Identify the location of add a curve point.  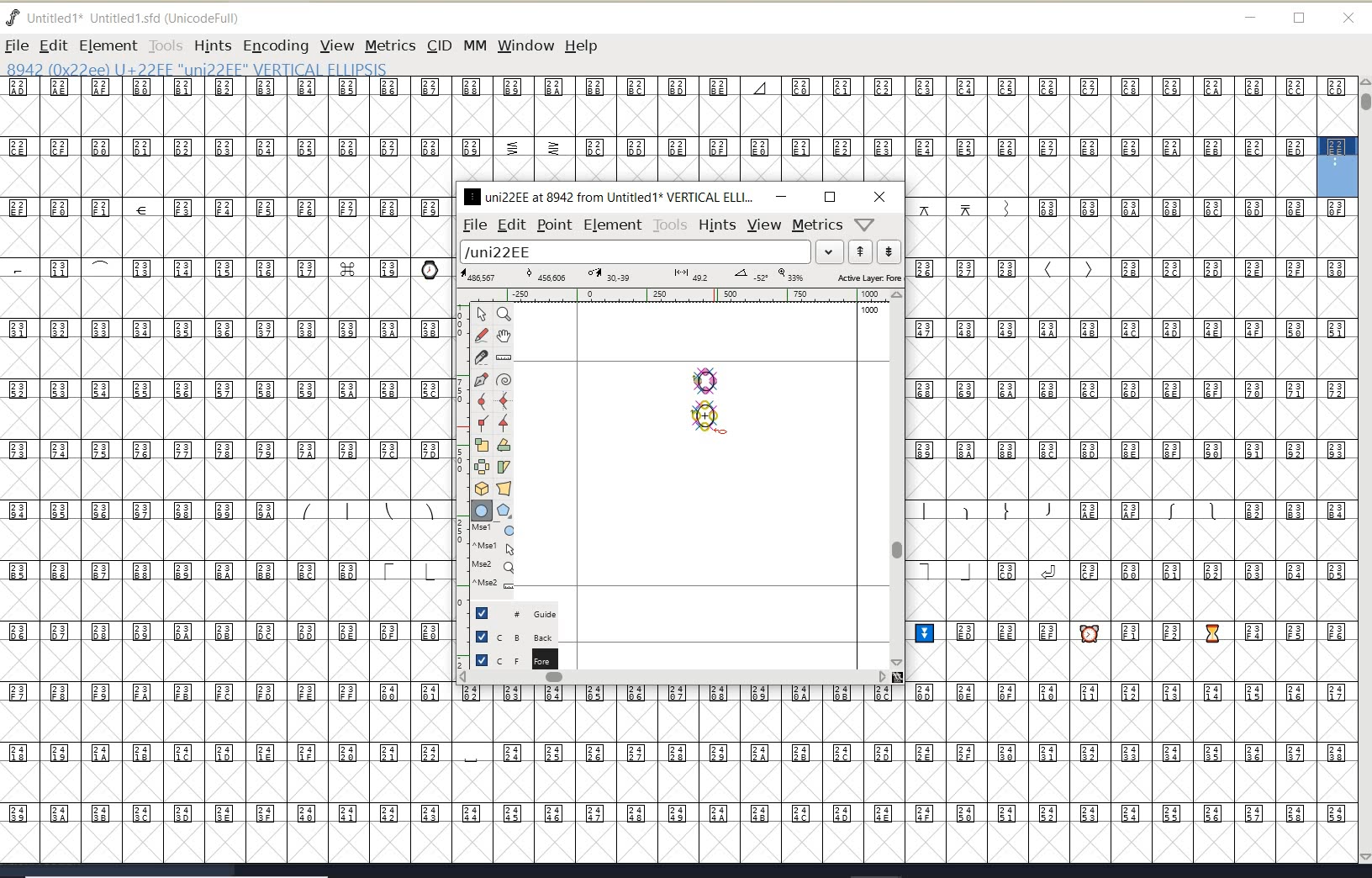
(485, 401).